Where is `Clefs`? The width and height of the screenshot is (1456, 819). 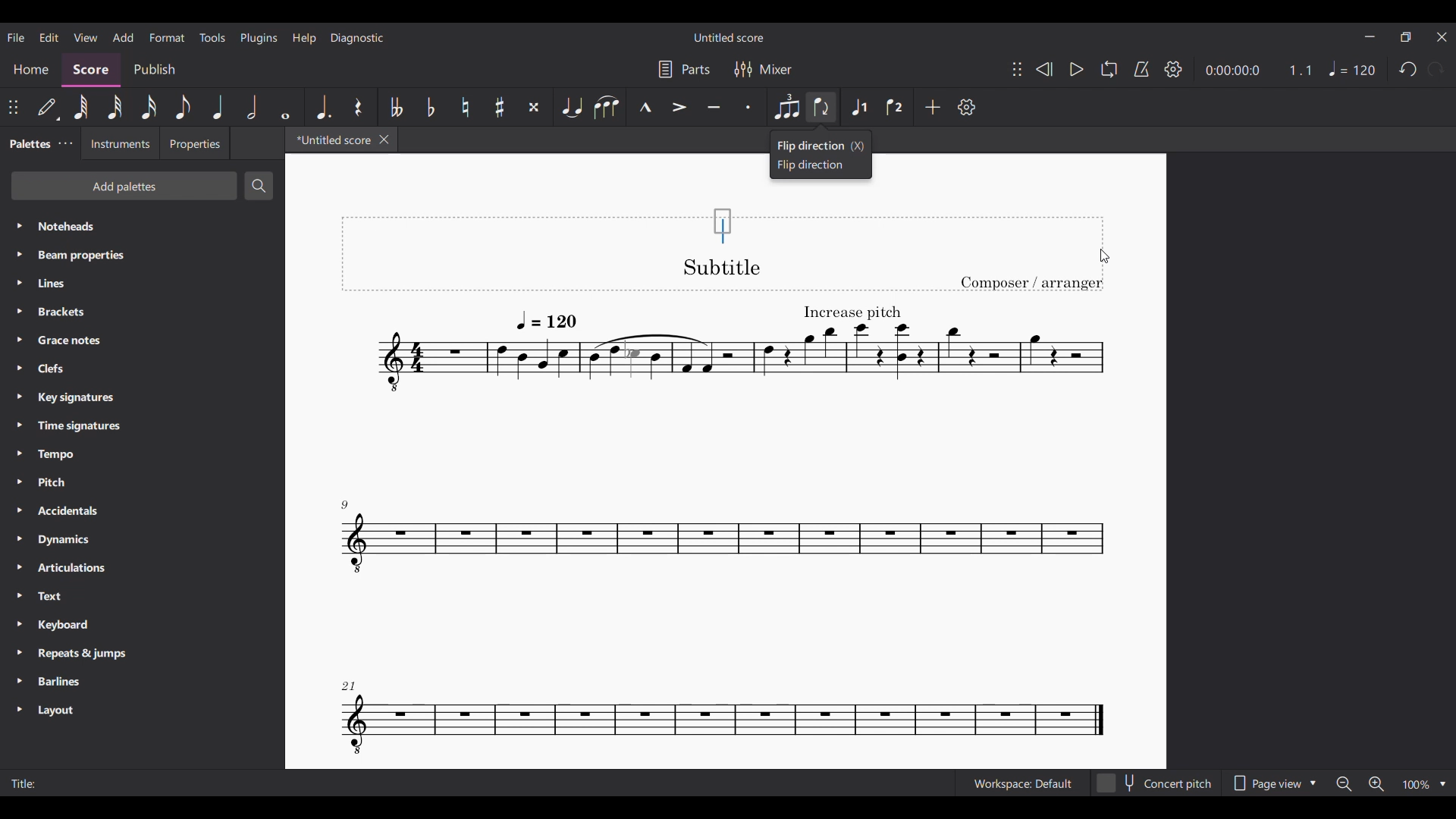
Clefs is located at coordinates (141, 369).